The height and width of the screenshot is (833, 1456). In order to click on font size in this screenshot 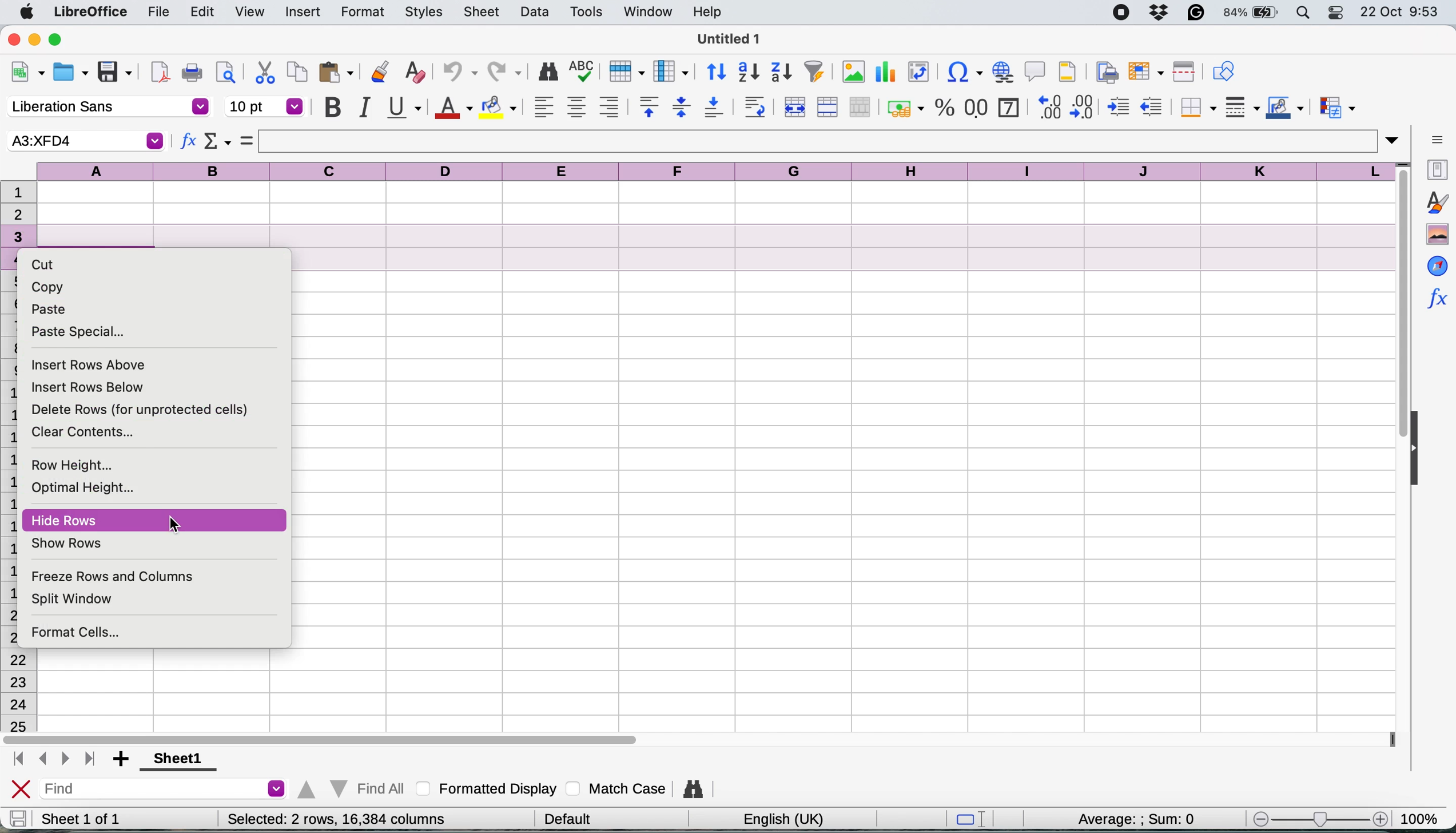, I will do `click(265, 106)`.